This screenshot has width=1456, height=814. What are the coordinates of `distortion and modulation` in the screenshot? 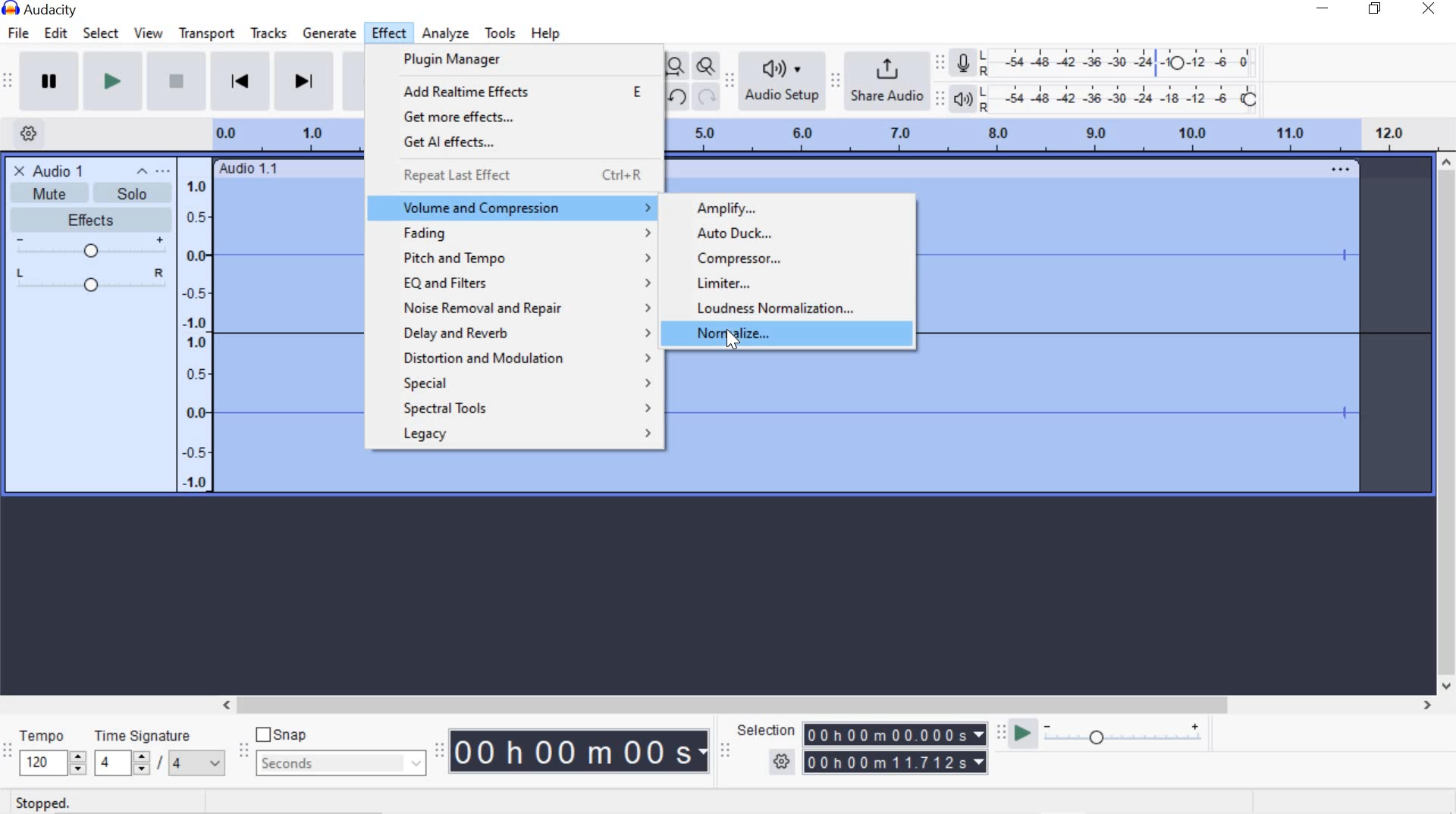 It's located at (530, 357).